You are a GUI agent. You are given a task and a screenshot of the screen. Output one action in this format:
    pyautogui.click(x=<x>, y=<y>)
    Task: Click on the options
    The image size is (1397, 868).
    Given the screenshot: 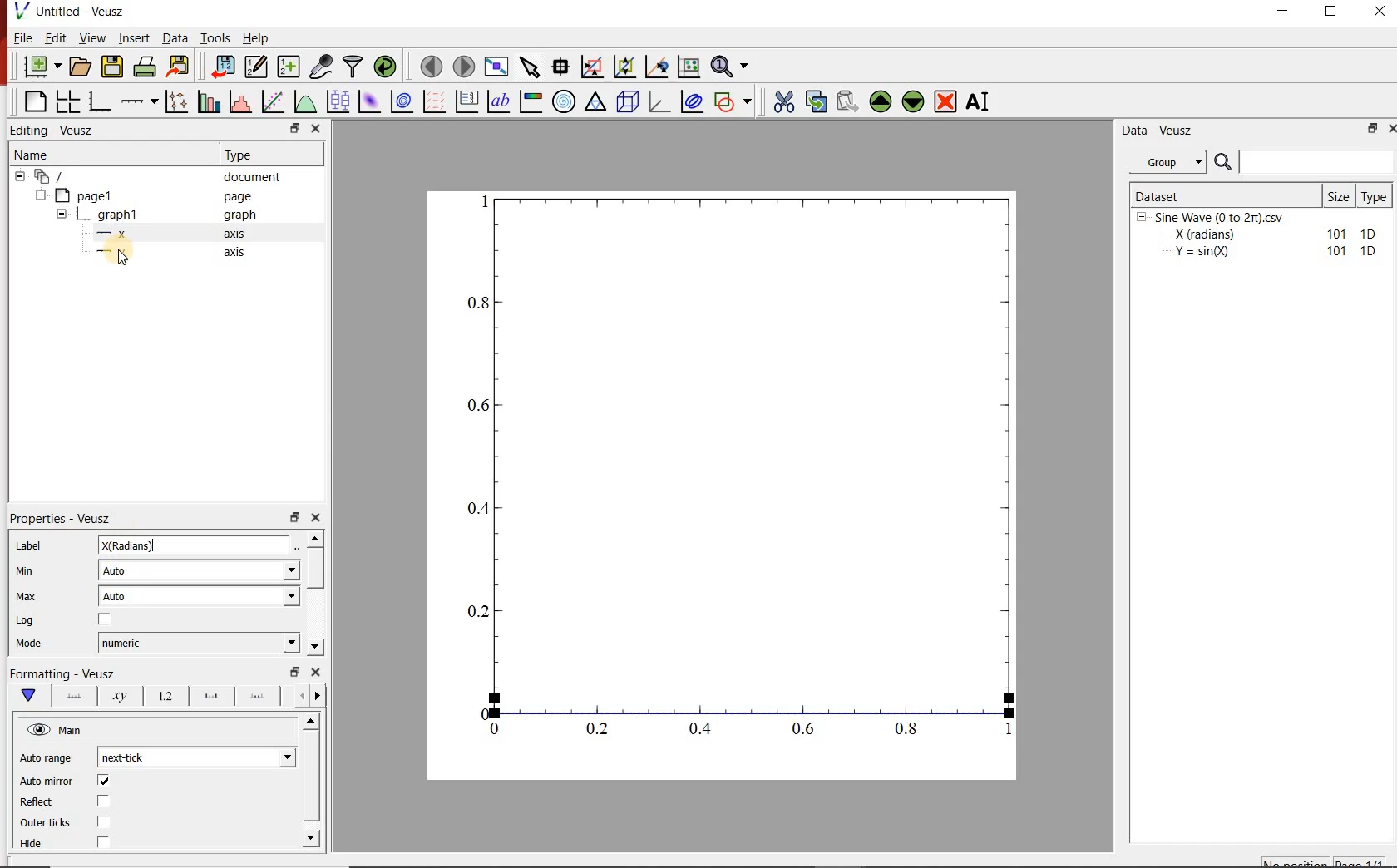 What is the action you would take?
    pyautogui.click(x=208, y=697)
    